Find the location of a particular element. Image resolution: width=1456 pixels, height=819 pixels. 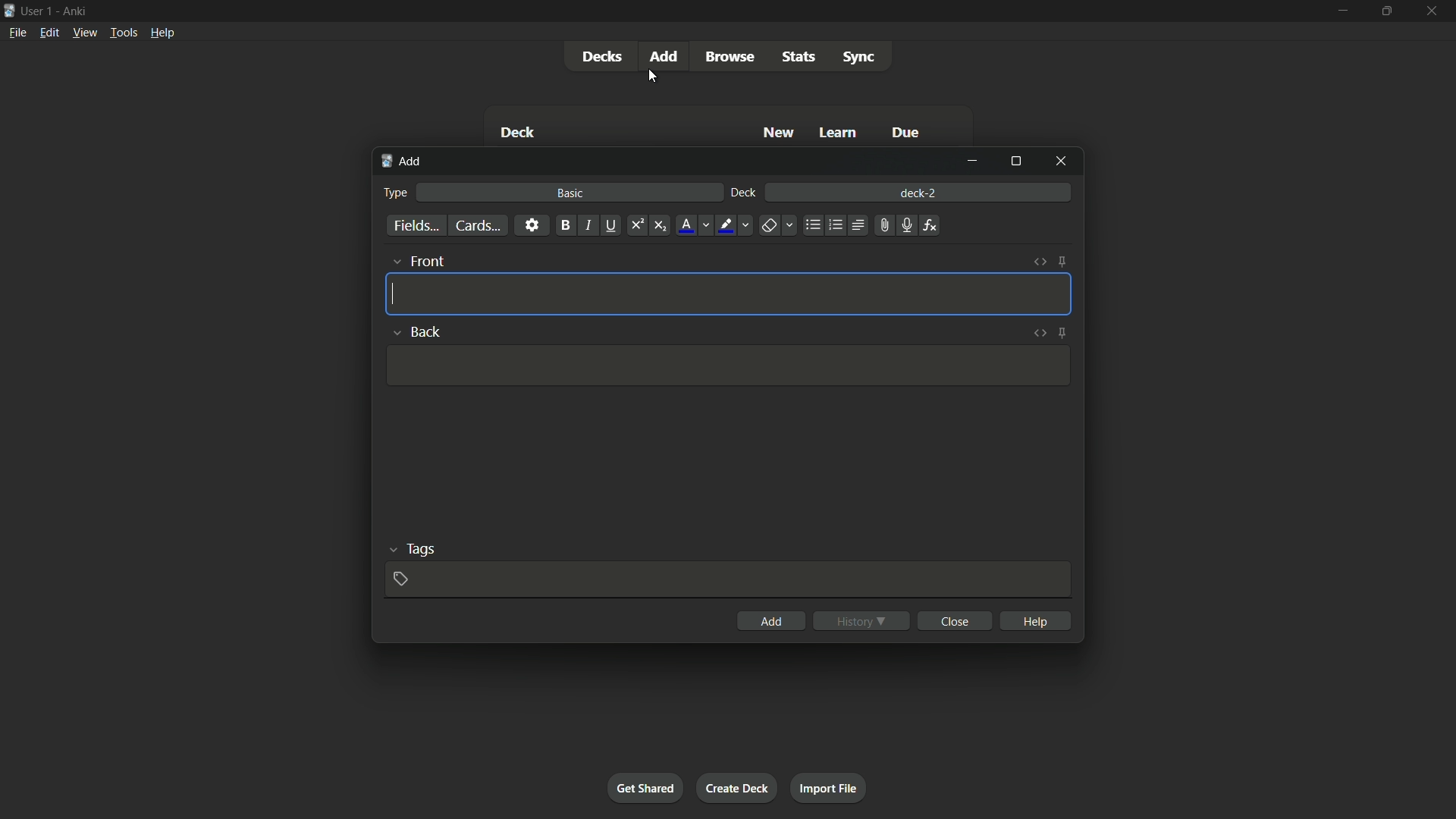

tags is located at coordinates (410, 550).